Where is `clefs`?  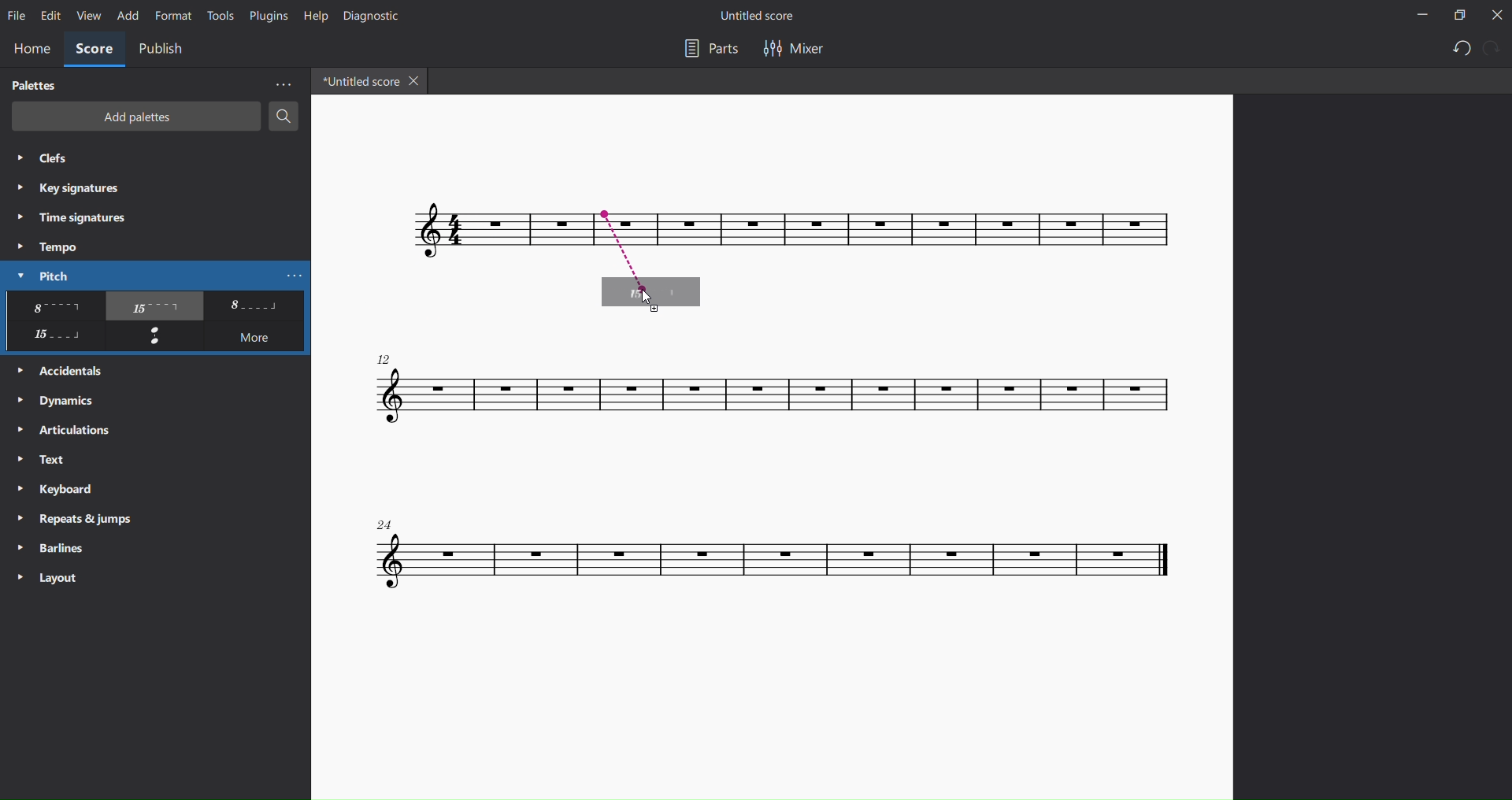
clefs is located at coordinates (47, 160).